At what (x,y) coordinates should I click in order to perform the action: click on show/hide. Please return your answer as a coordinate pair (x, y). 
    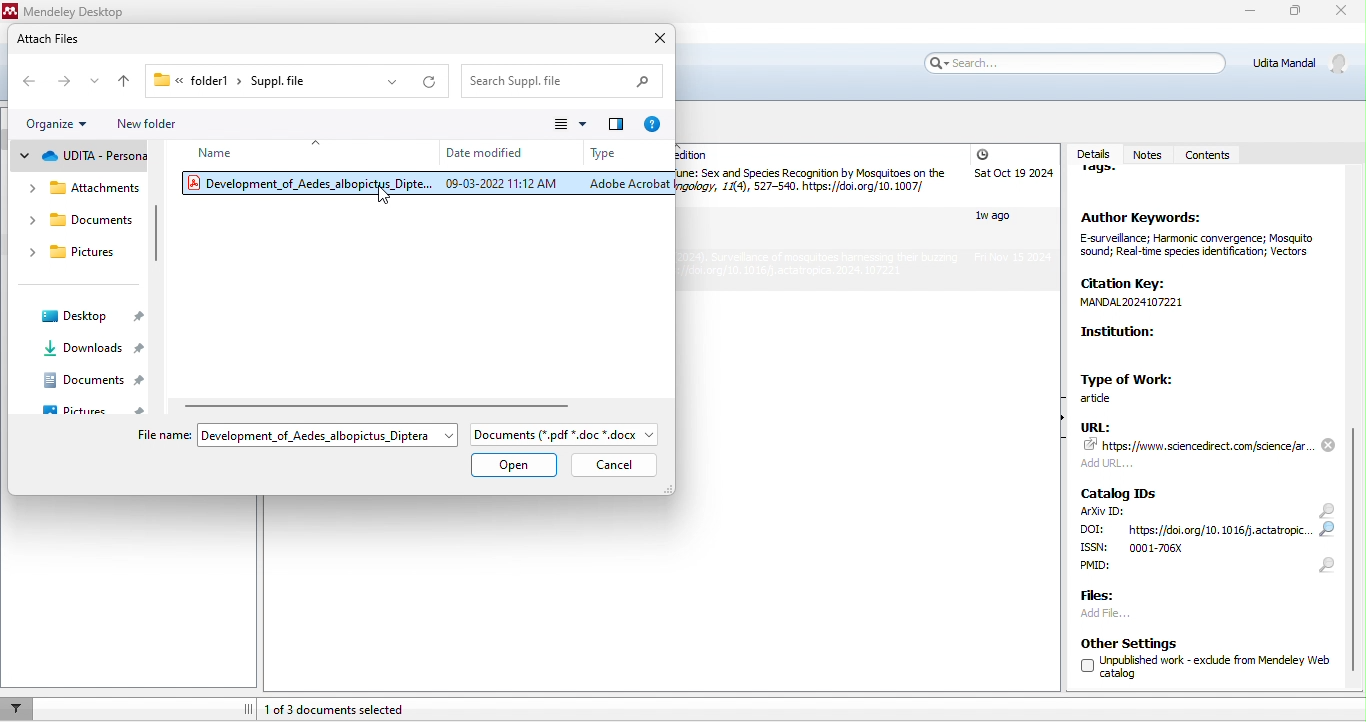
    Looking at the image, I should click on (1054, 430).